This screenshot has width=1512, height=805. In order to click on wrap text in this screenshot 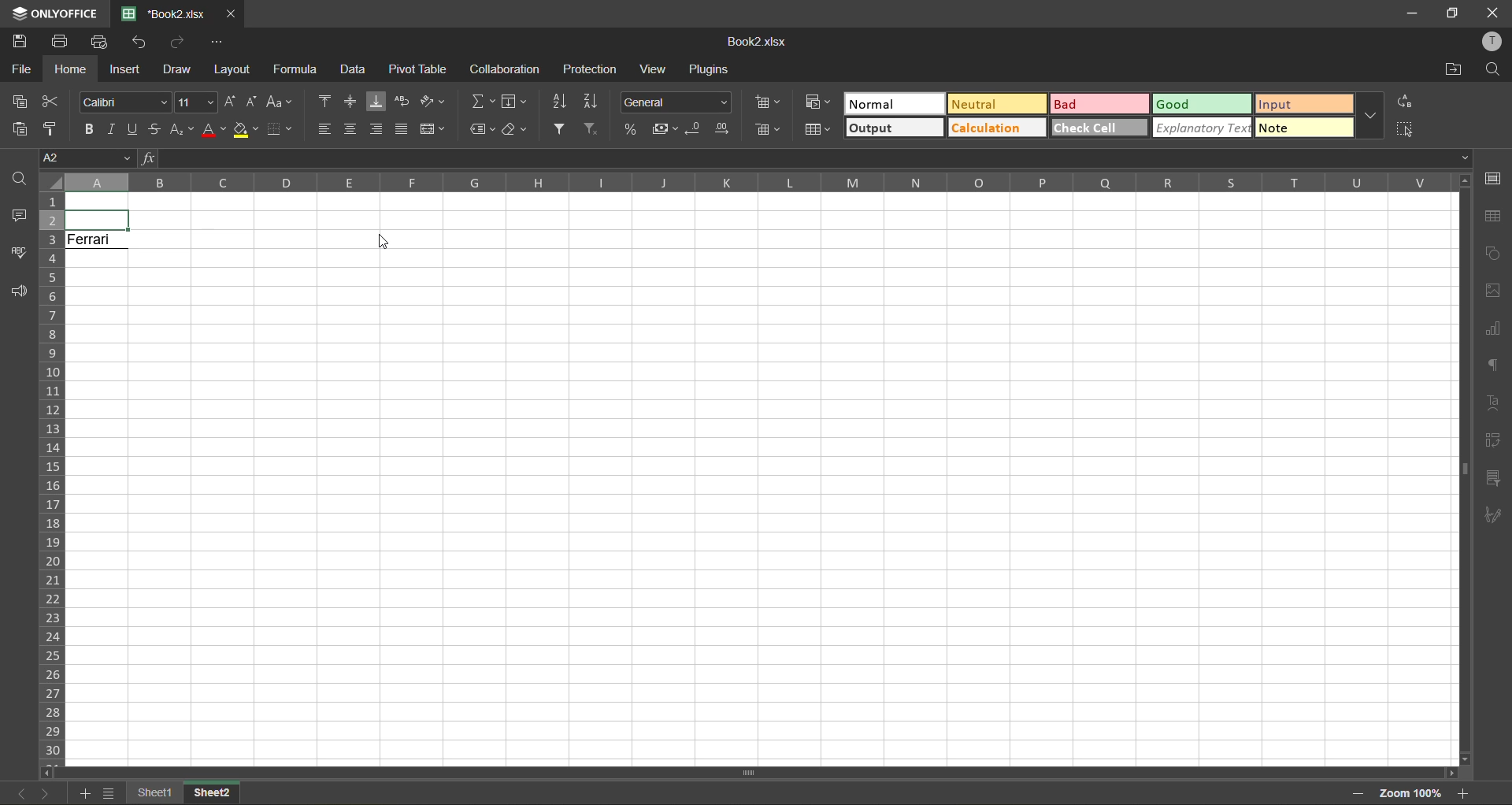, I will do `click(402, 103)`.